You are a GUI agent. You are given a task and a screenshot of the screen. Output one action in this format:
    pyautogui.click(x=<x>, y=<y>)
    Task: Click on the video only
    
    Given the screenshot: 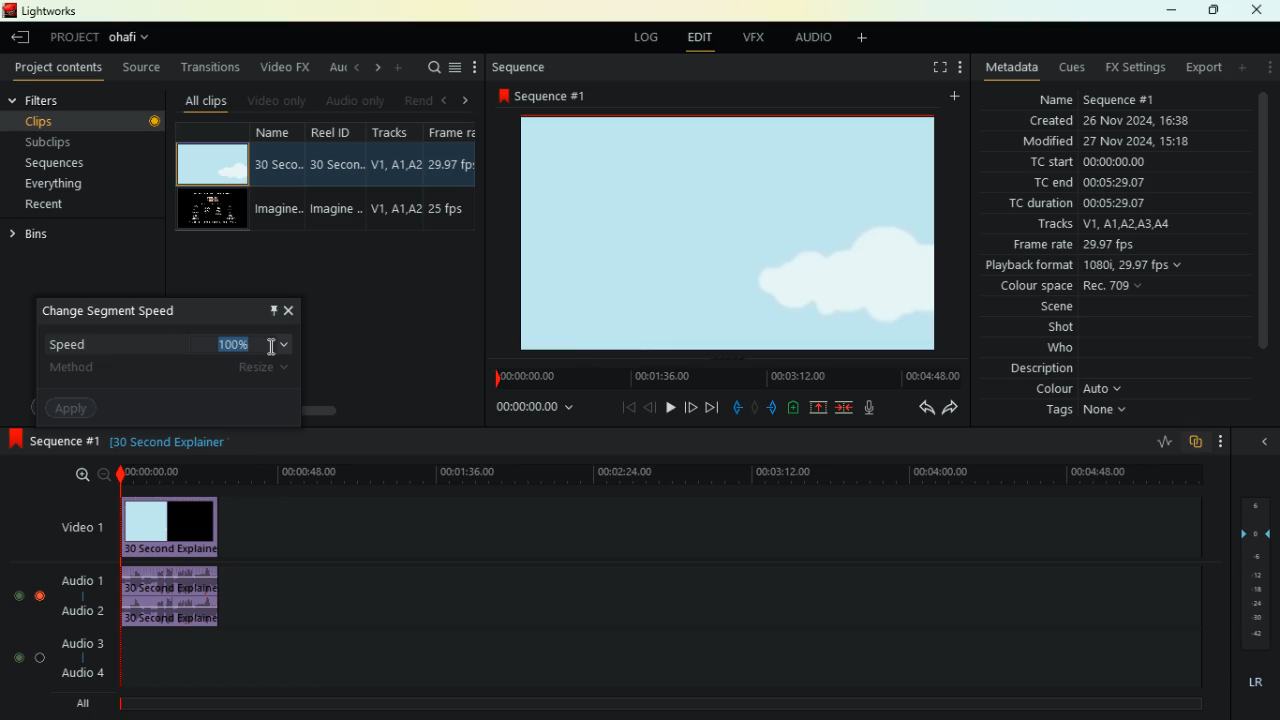 What is the action you would take?
    pyautogui.click(x=279, y=101)
    